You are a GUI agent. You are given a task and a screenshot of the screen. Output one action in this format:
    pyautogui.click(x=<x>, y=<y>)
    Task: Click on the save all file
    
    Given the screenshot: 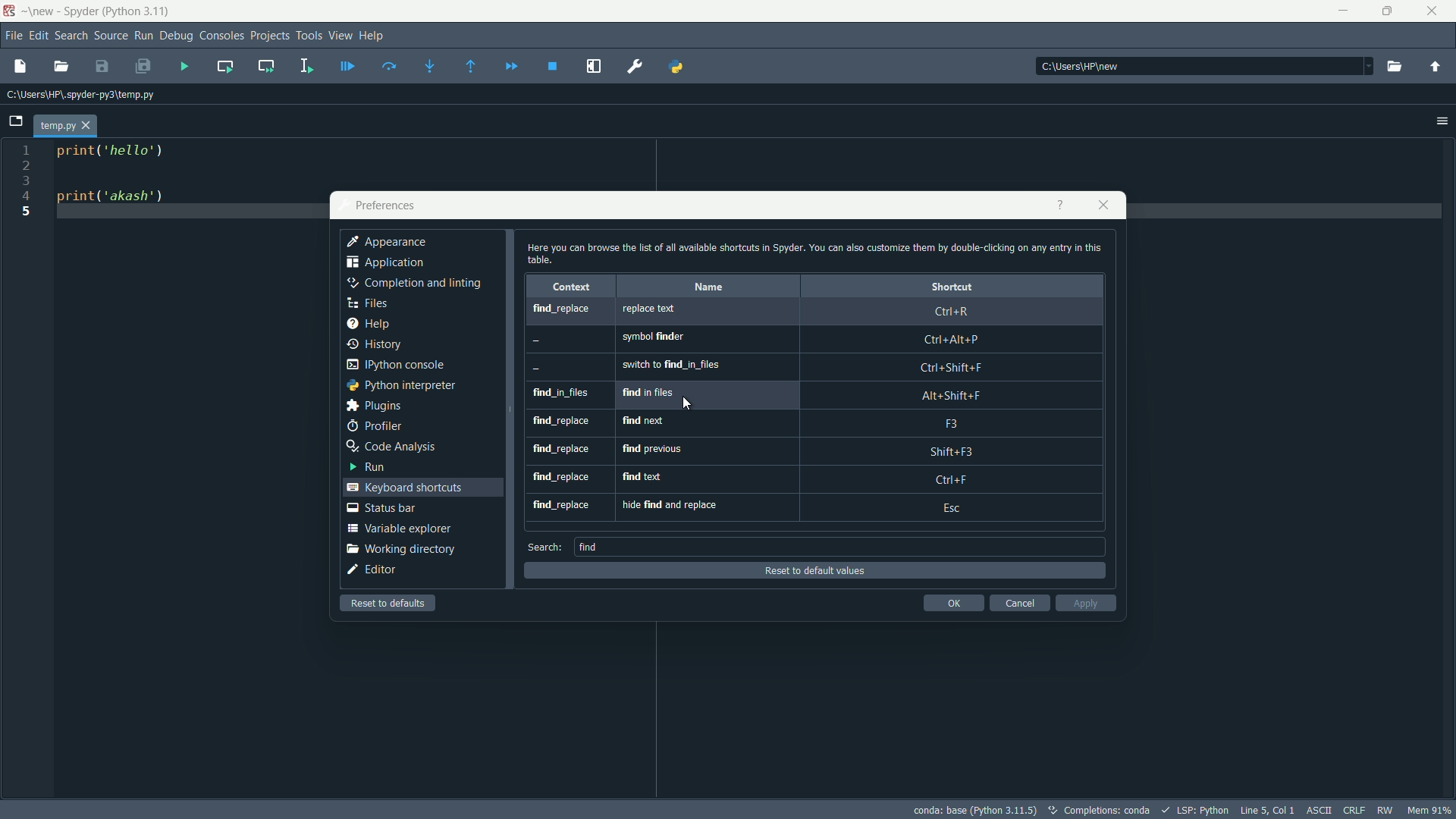 What is the action you would take?
    pyautogui.click(x=143, y=64)
    